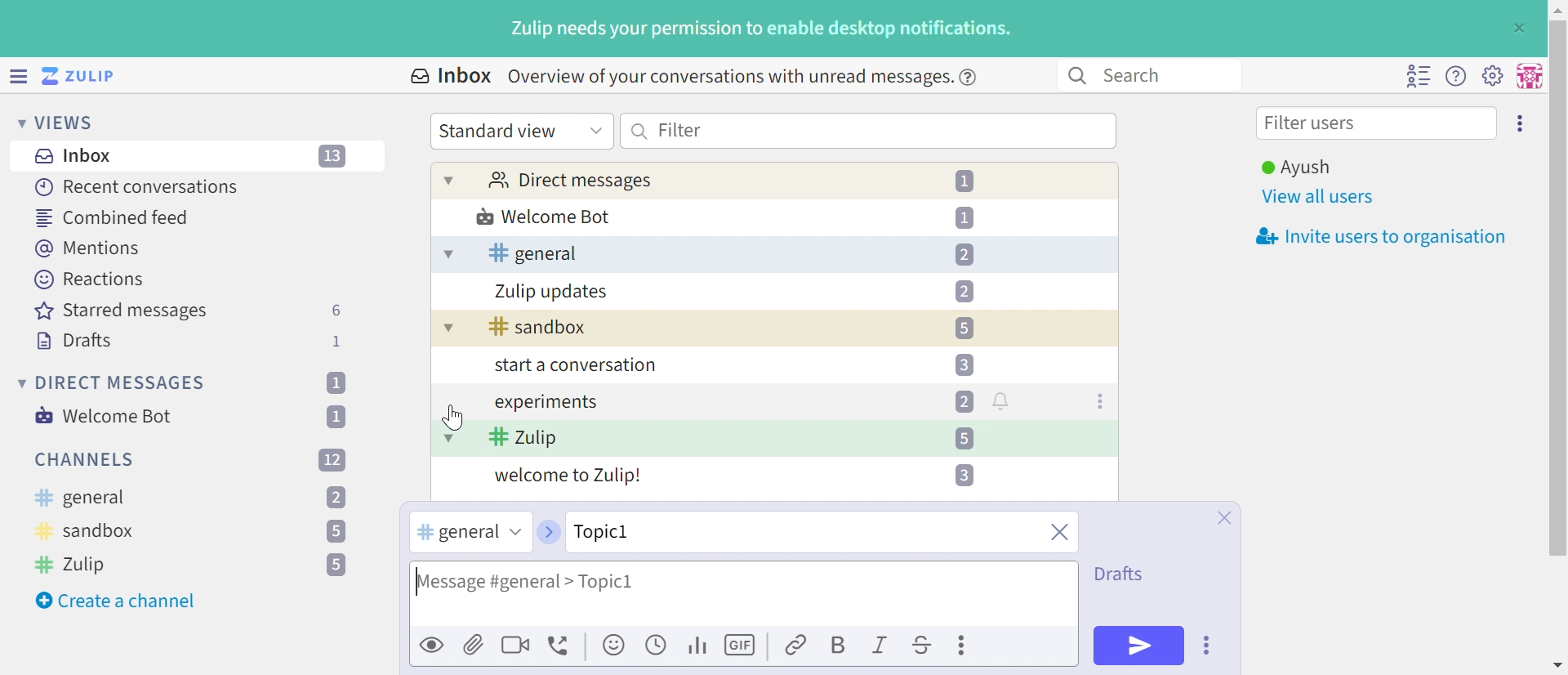 This screenshot has width=1568, height=675. What do you see at coordinates (762, 30) in the screenshot?
I see `Zulip needs your permission to enable desktop notifications.` at bounding box center [762, 30].